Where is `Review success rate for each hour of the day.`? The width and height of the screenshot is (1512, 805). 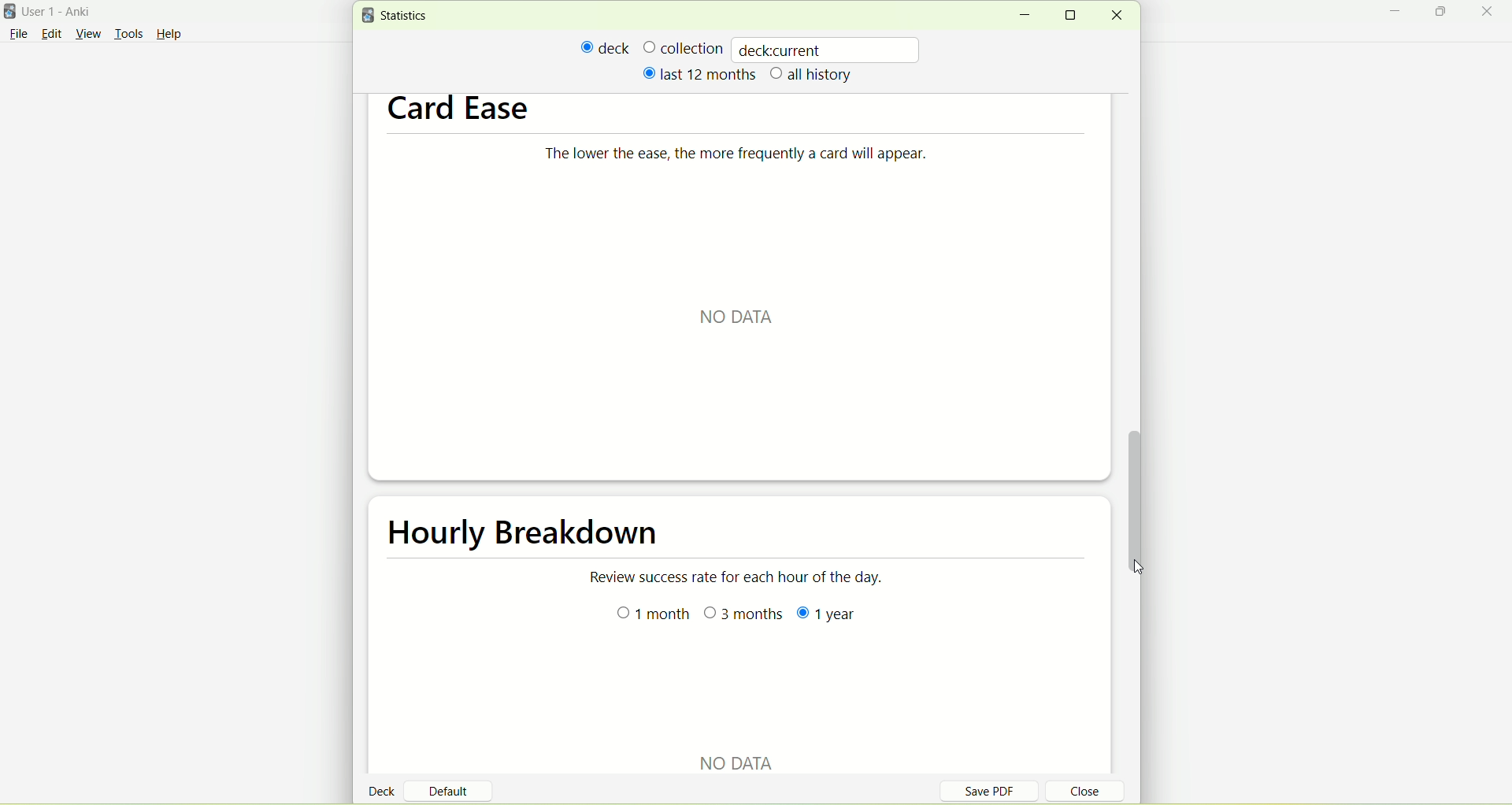
Review success rate for each hour of the day. is located at coordinates (741, 580).